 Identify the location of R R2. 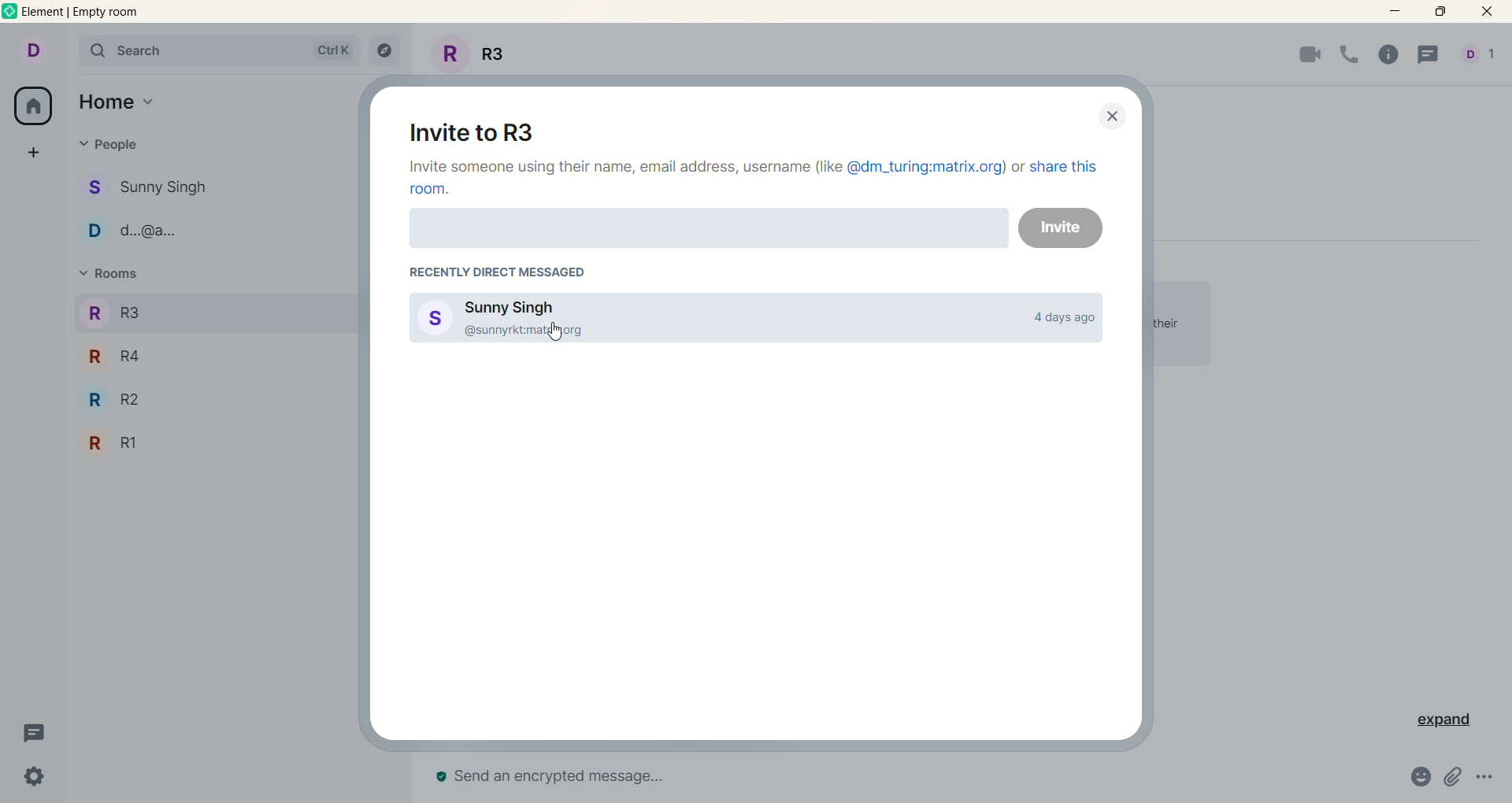
(114, 401).